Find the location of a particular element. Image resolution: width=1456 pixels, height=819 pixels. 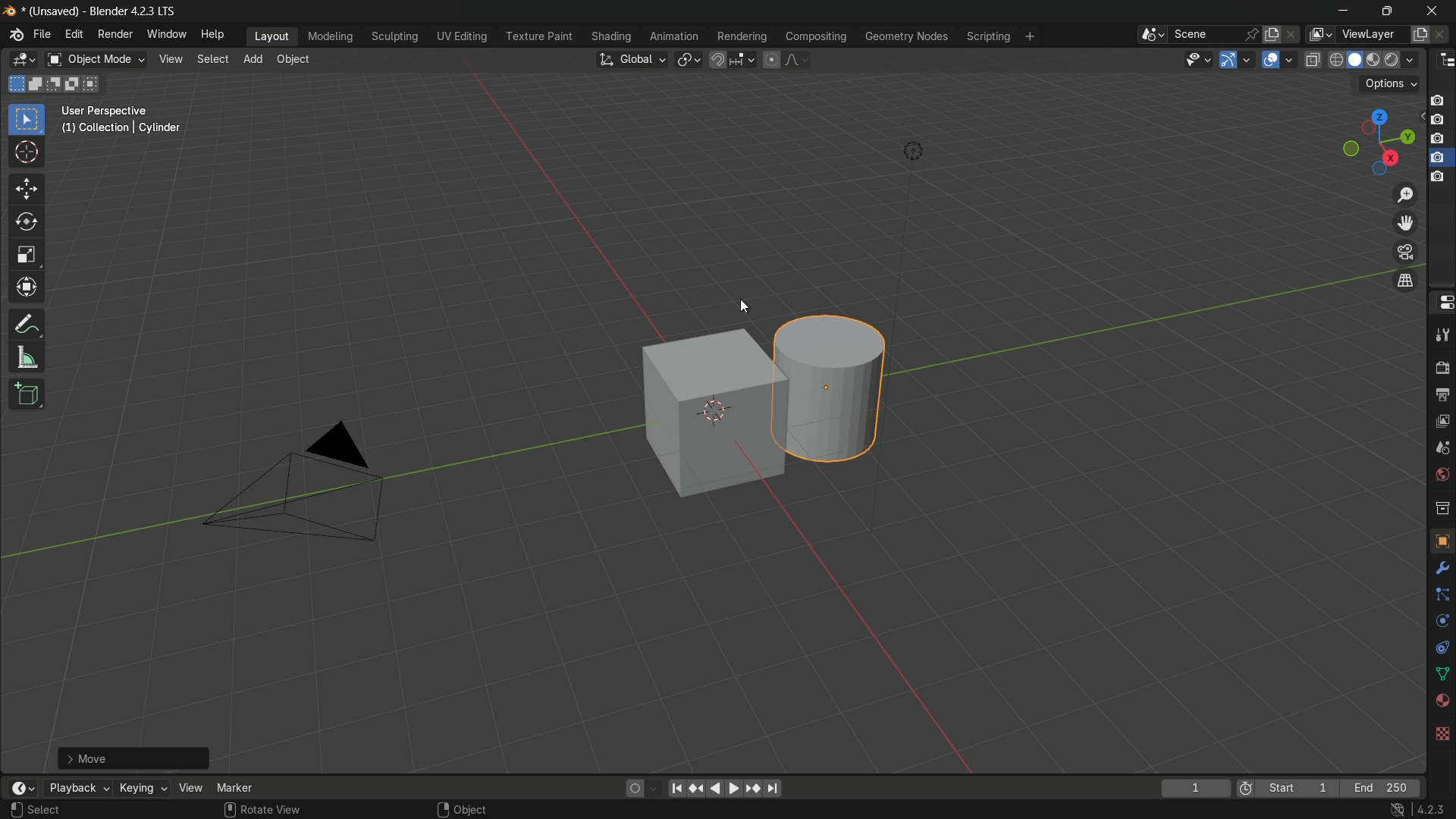

uv editing menu is located at coordinates (463, 37).